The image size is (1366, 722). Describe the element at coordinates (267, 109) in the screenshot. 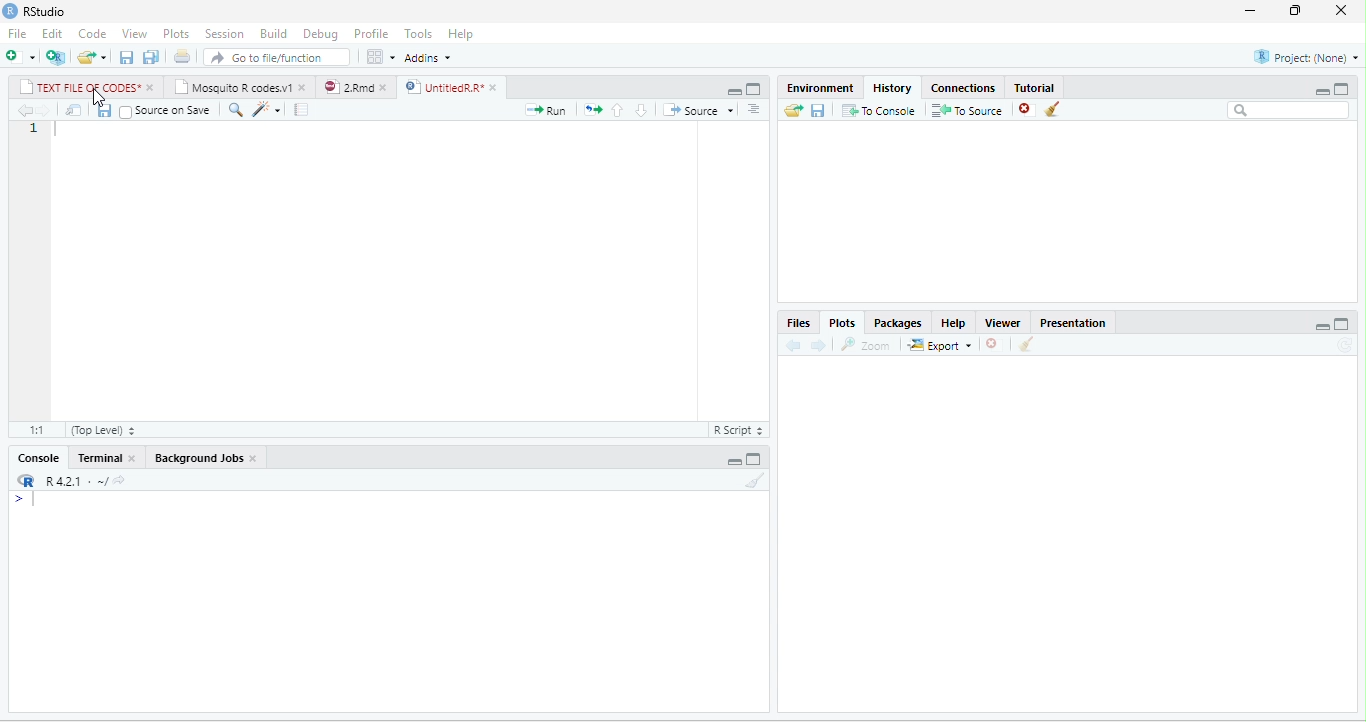

I see `code tools` at that location.